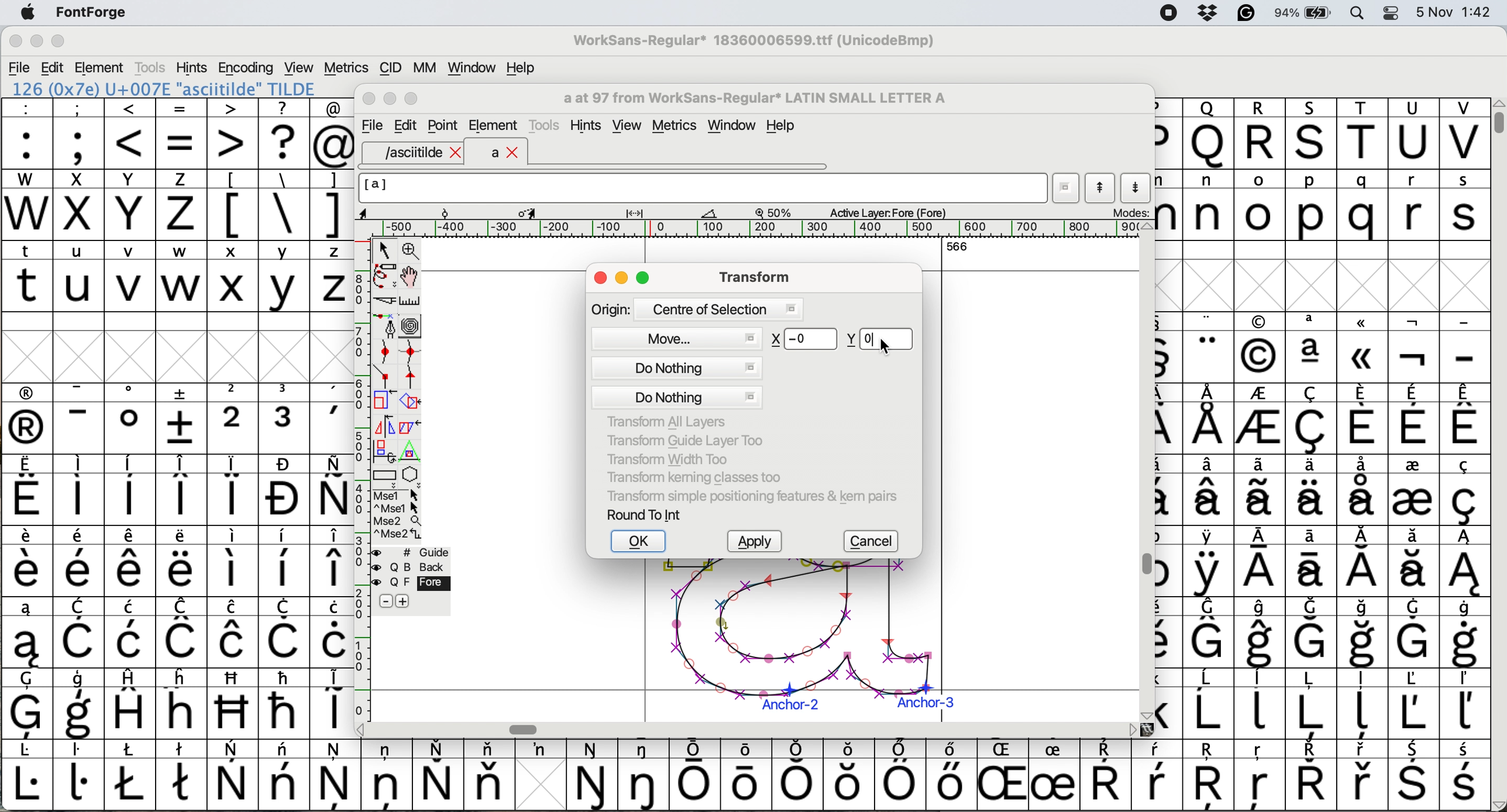 The height and width of the screenshot is (812, 1507). Describe the element at coordinates (133, 632) in the screenshot. I see `symbol` at that location.